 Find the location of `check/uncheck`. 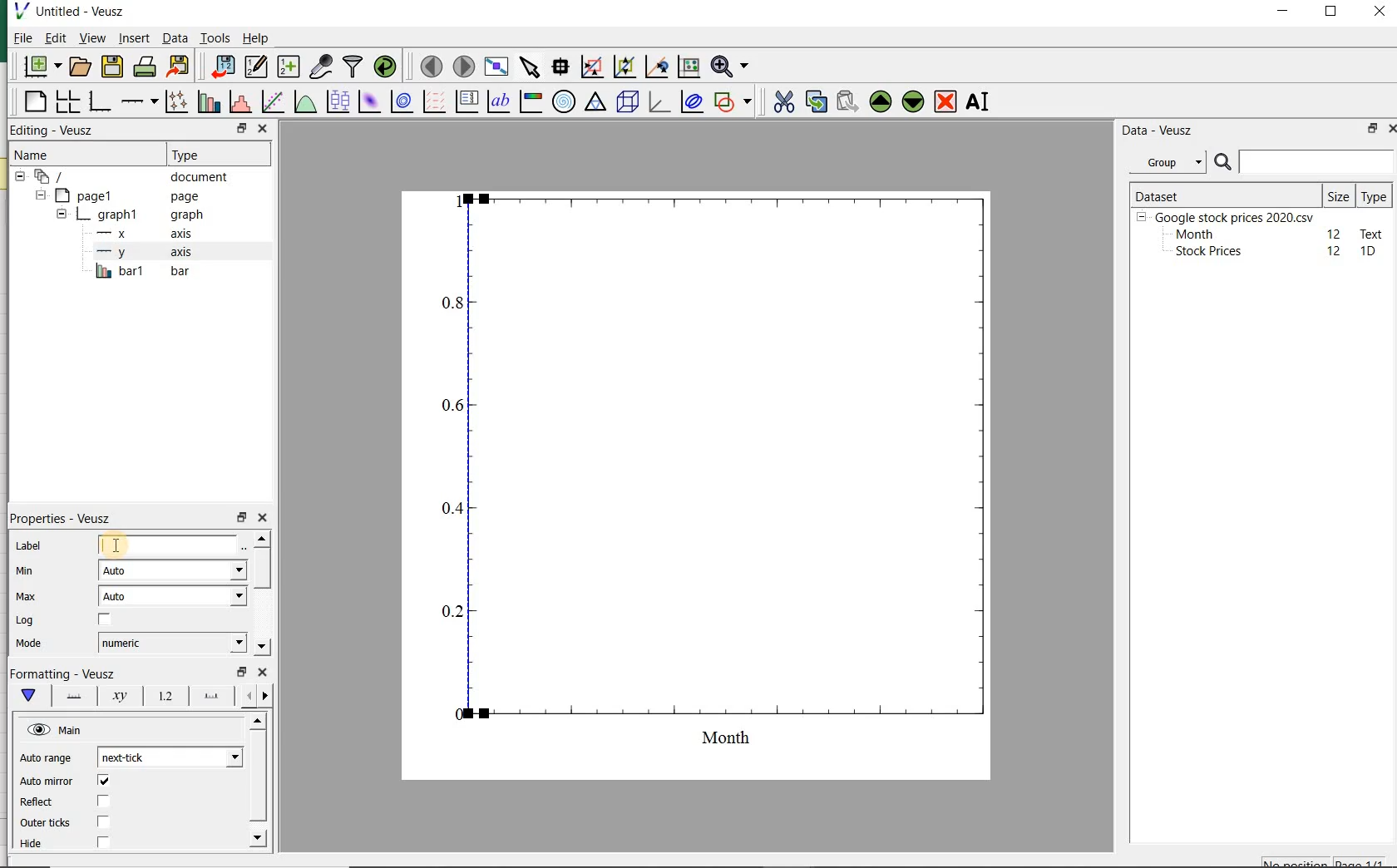

check/uncheck is located at coordinates (102, 801).